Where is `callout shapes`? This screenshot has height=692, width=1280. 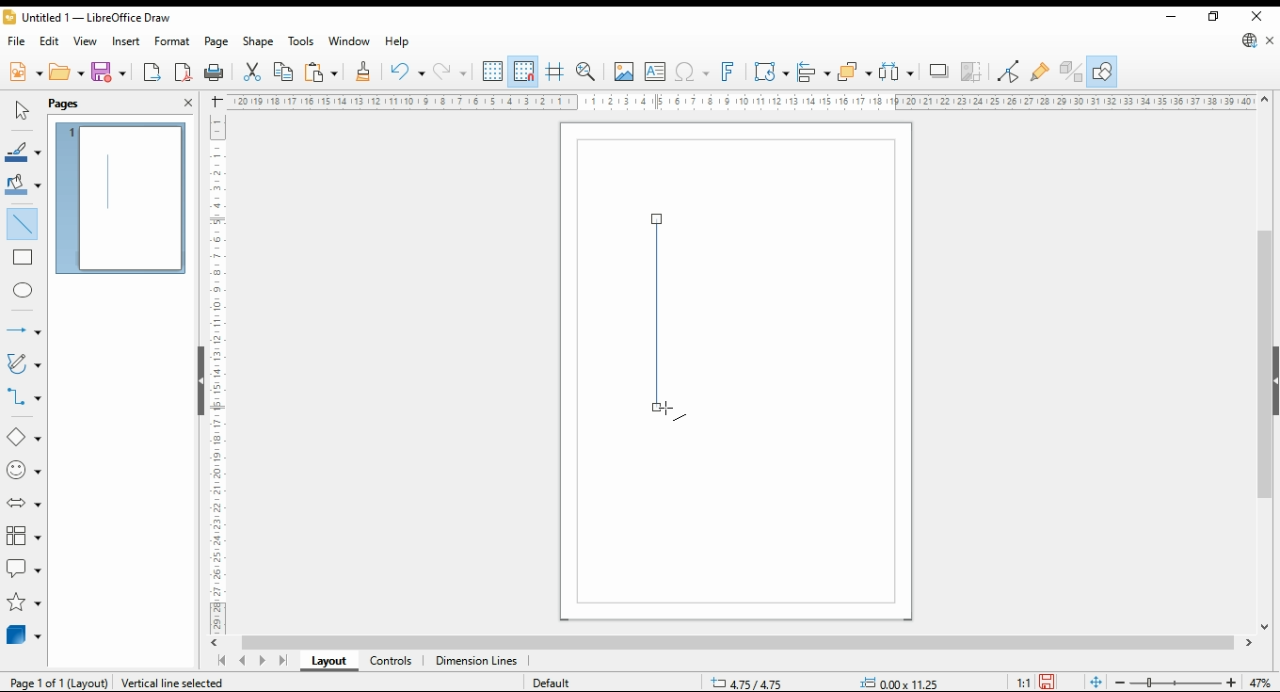 callout shapes is located at coordinates (24, 568).